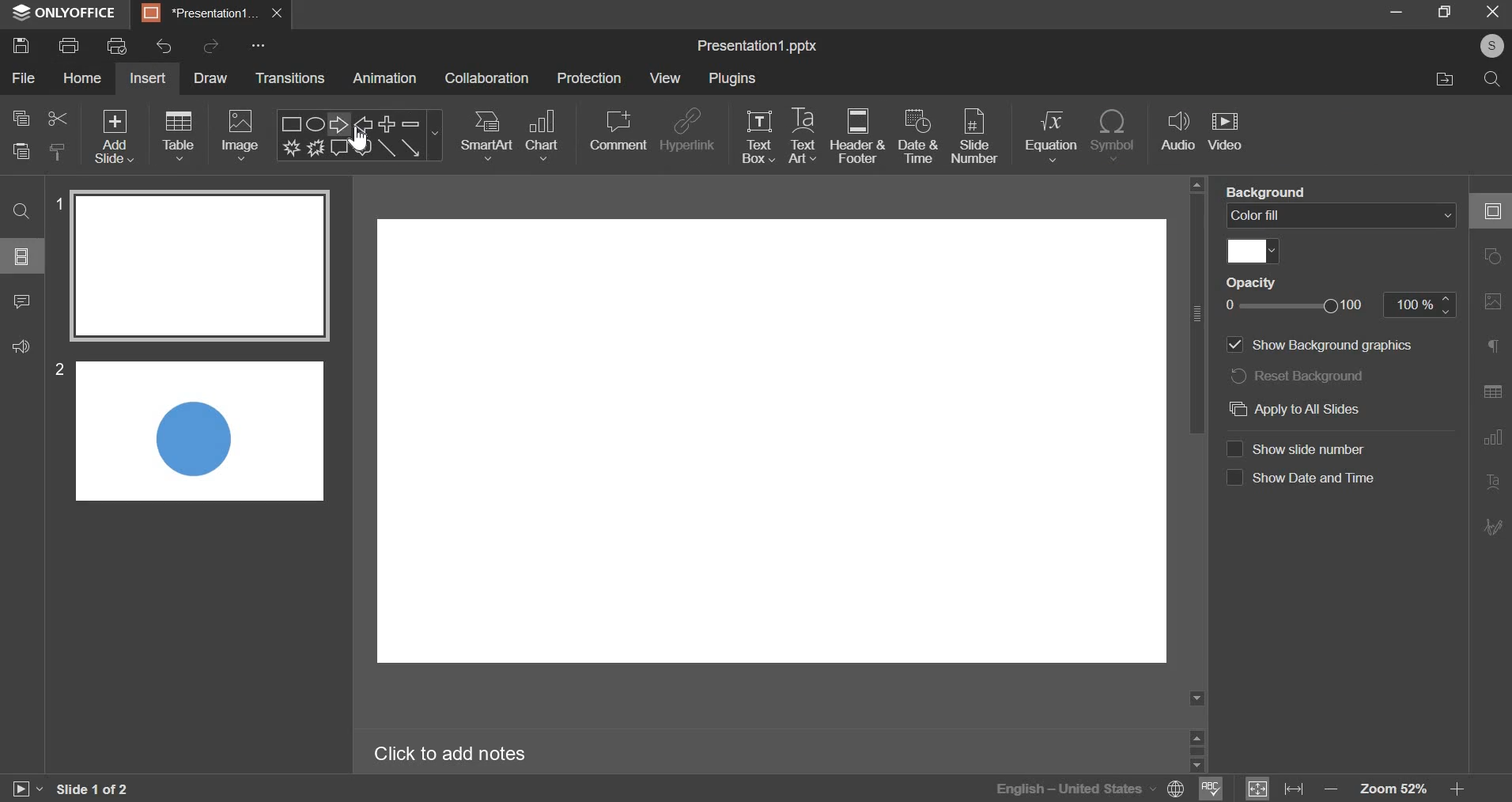  I want to click on hyperlink, so click(687, 132).